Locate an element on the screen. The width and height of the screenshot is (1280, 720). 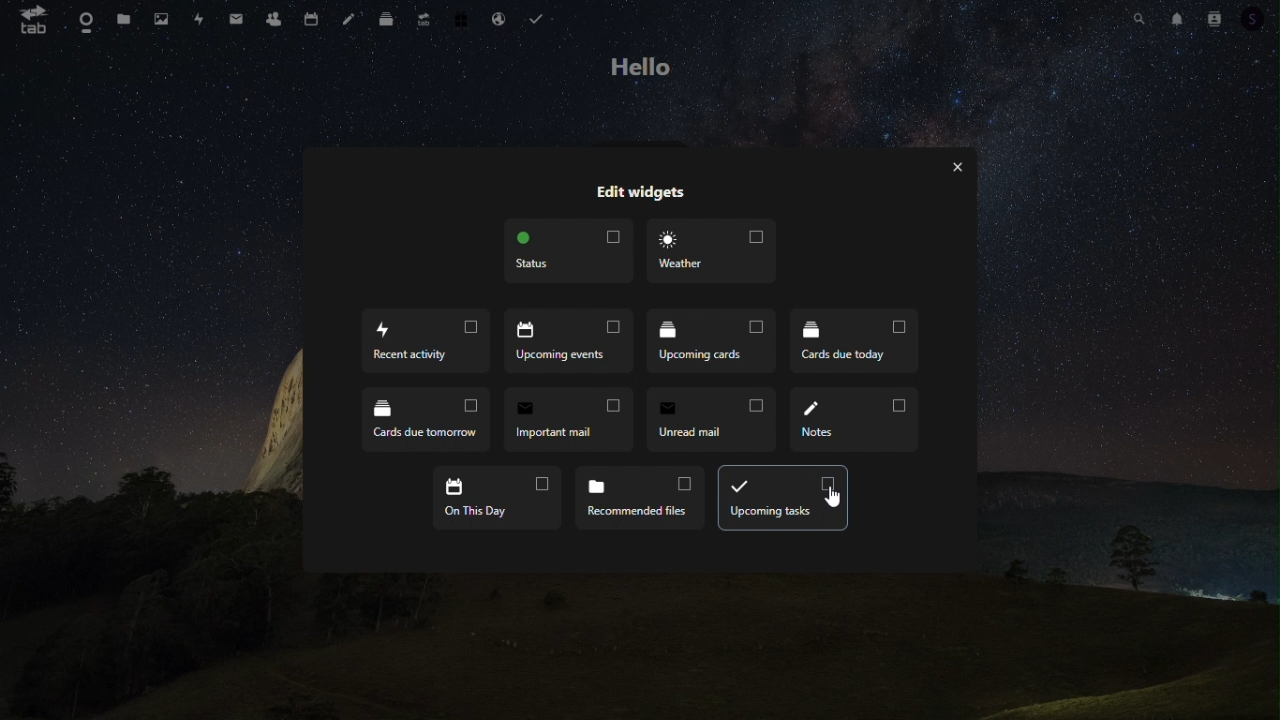
On this day is located at coordinates (496, 497).